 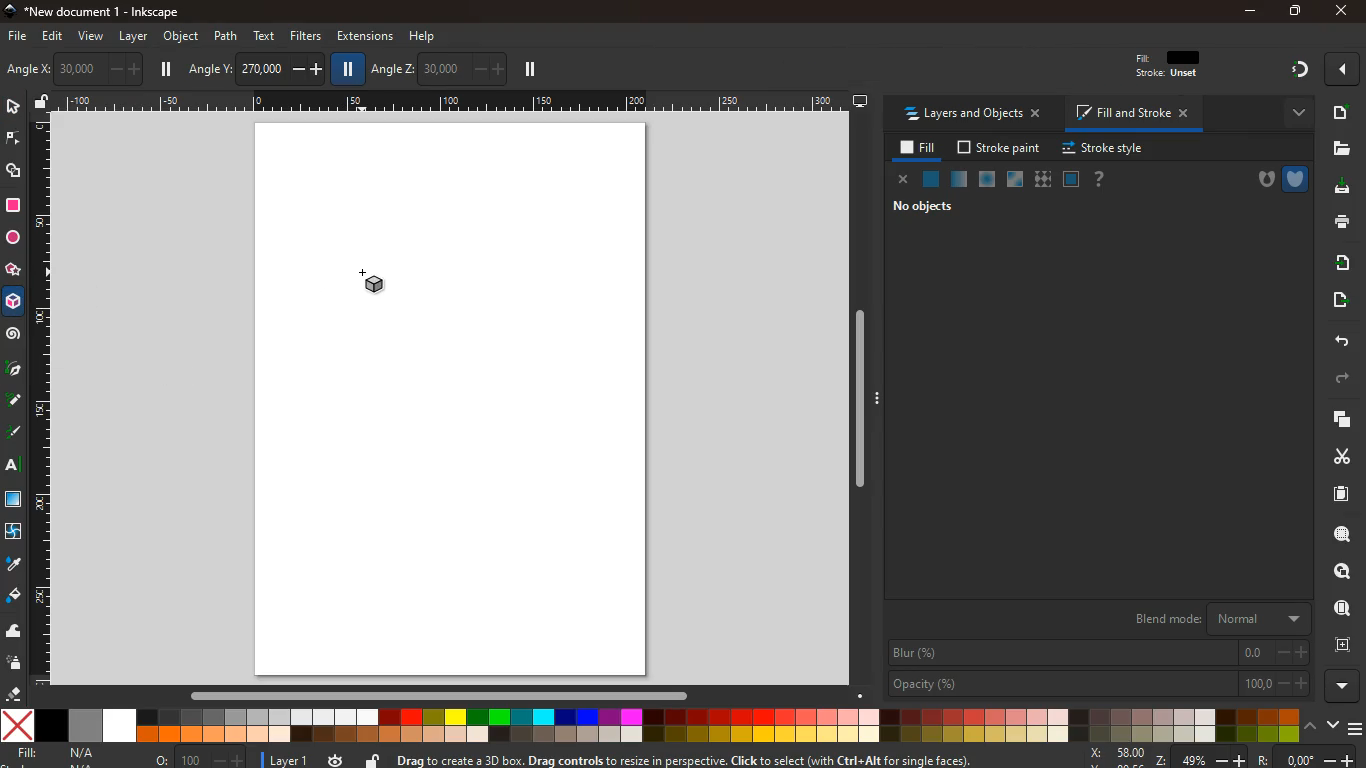 I want to click on frame, so click(x=1342, y=645).